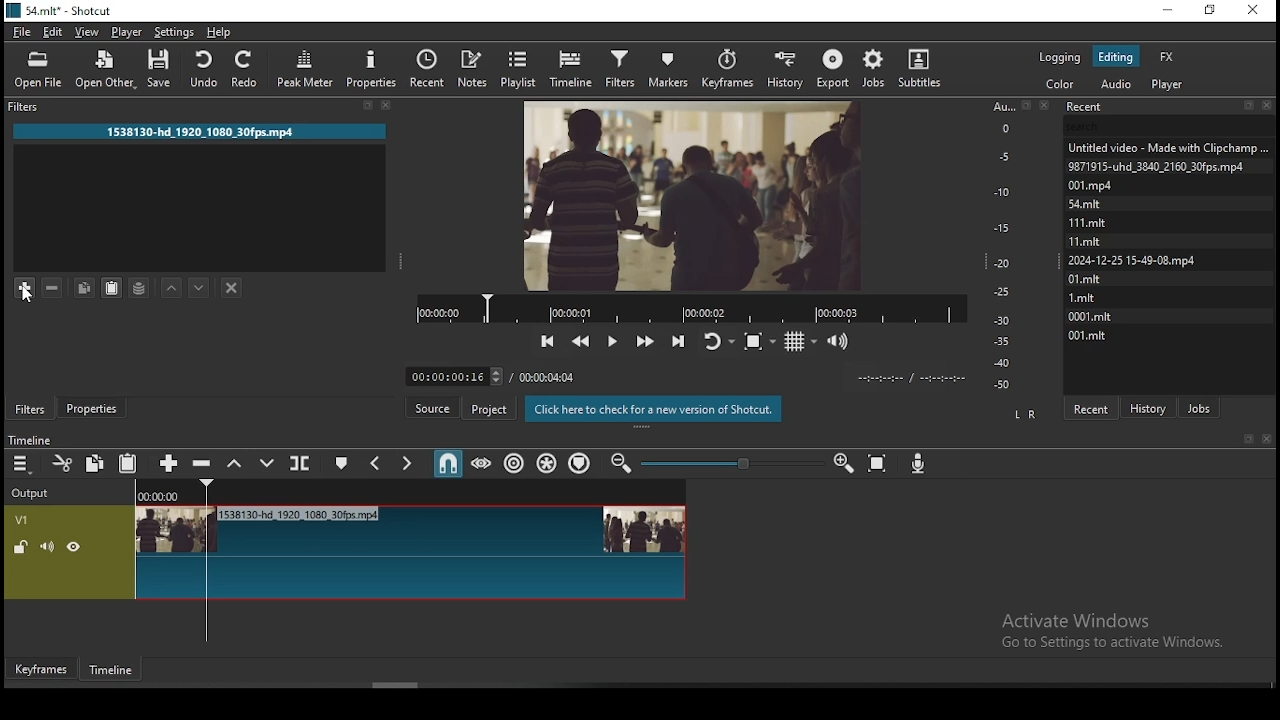 The width and height of the screenshot is (1280, 720). What do you see at coordinates (843, 466) in the screenshot?
I see `zoom timeline out` at bounding box center [843, 466].